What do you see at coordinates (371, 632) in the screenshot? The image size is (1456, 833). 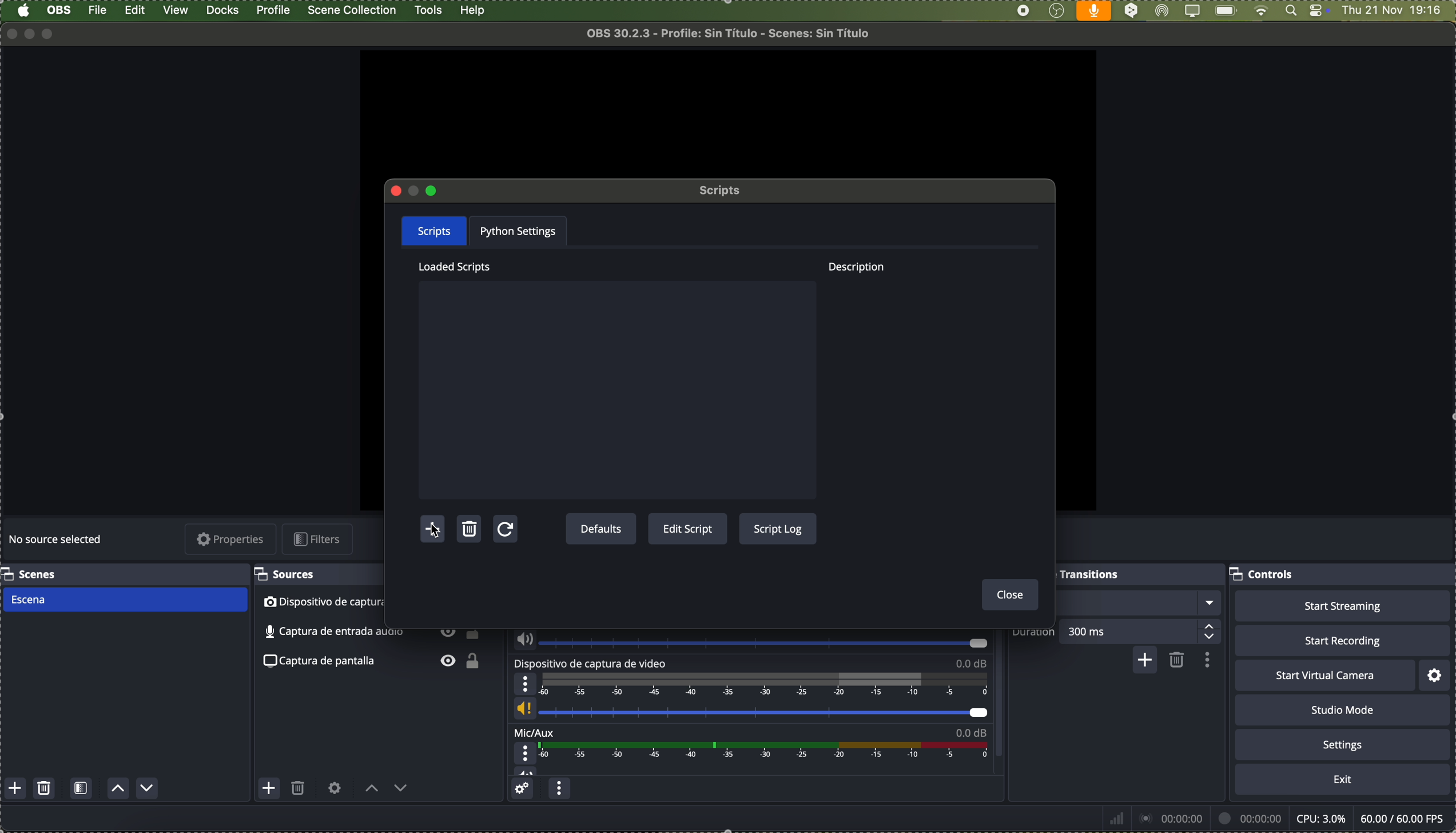 I see `audio input capture` at bounding box center [371, 632].